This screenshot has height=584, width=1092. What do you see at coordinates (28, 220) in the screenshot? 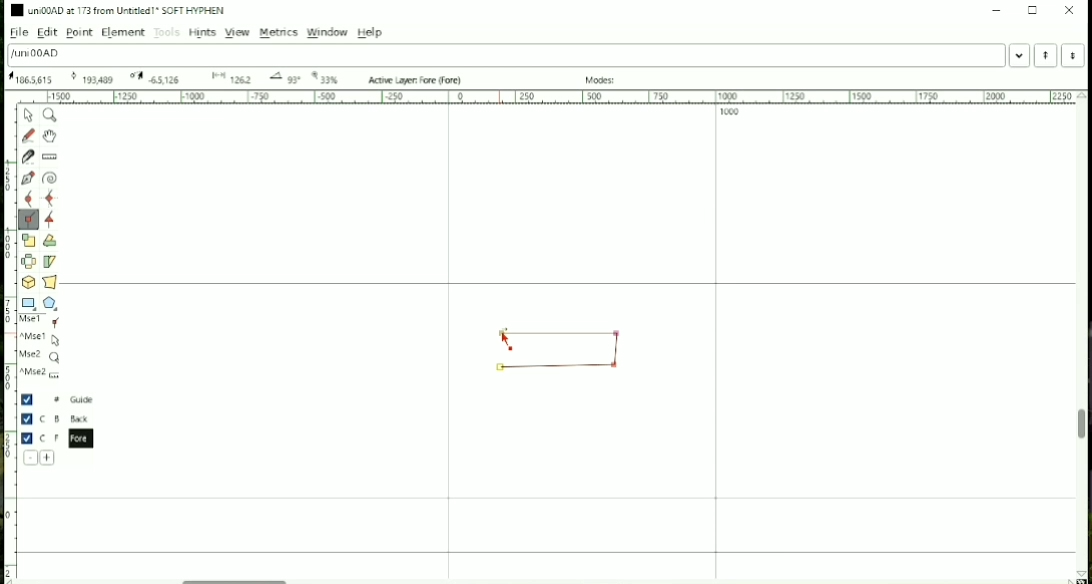
I see `Add a corner point` at bounding box center [28, 220].